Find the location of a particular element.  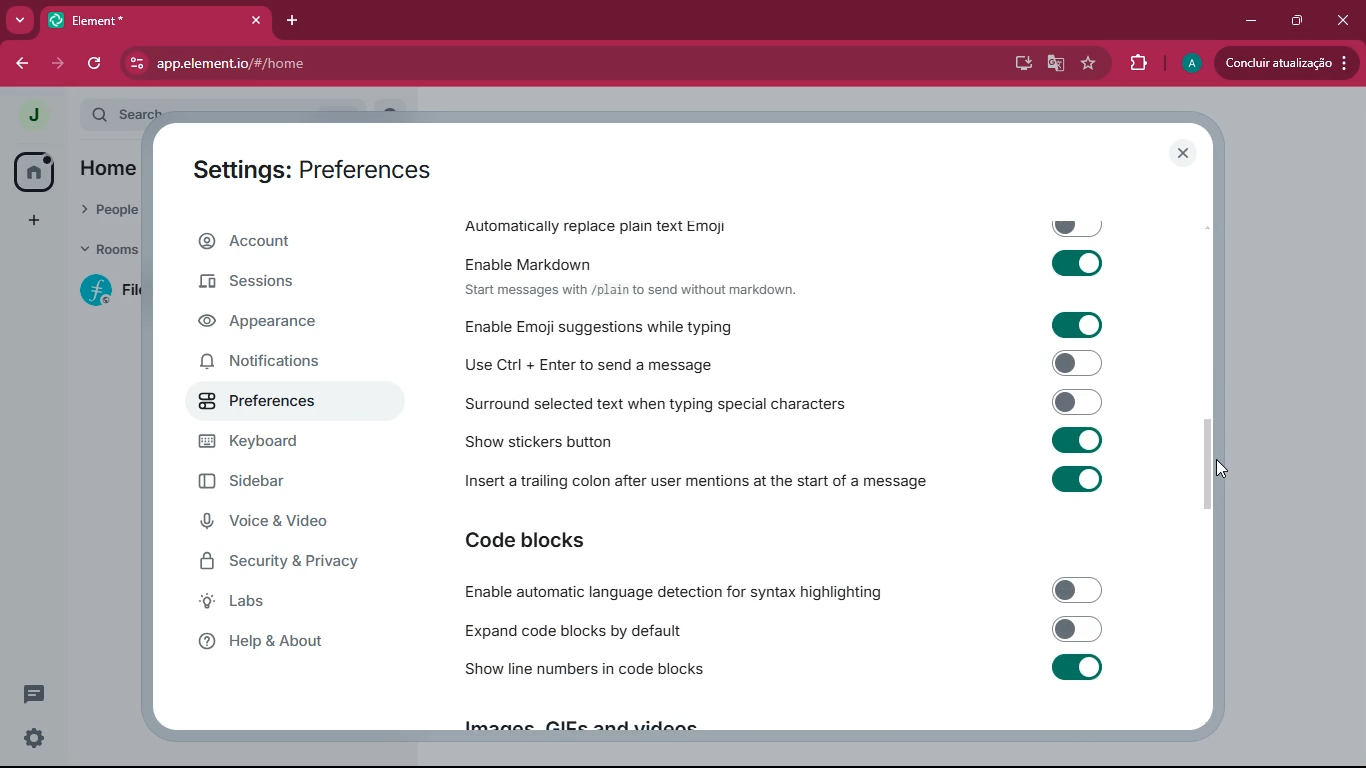

people is located at coordinates (108, 213).